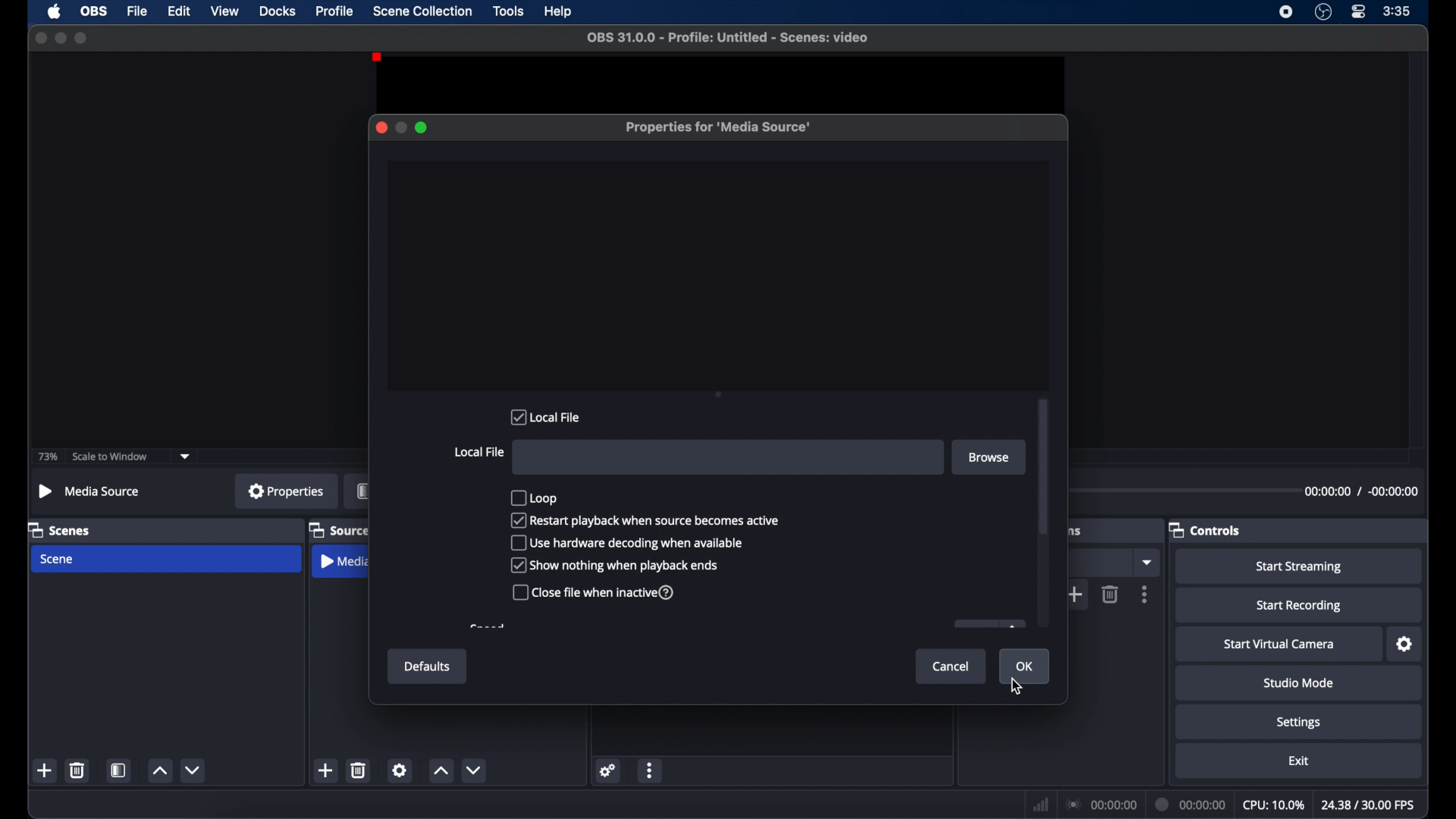 The width and height of the screenshot is (1456, 819). Describe the element at coordinates (549, 417) in the screenshot. I see `local file` at that location.